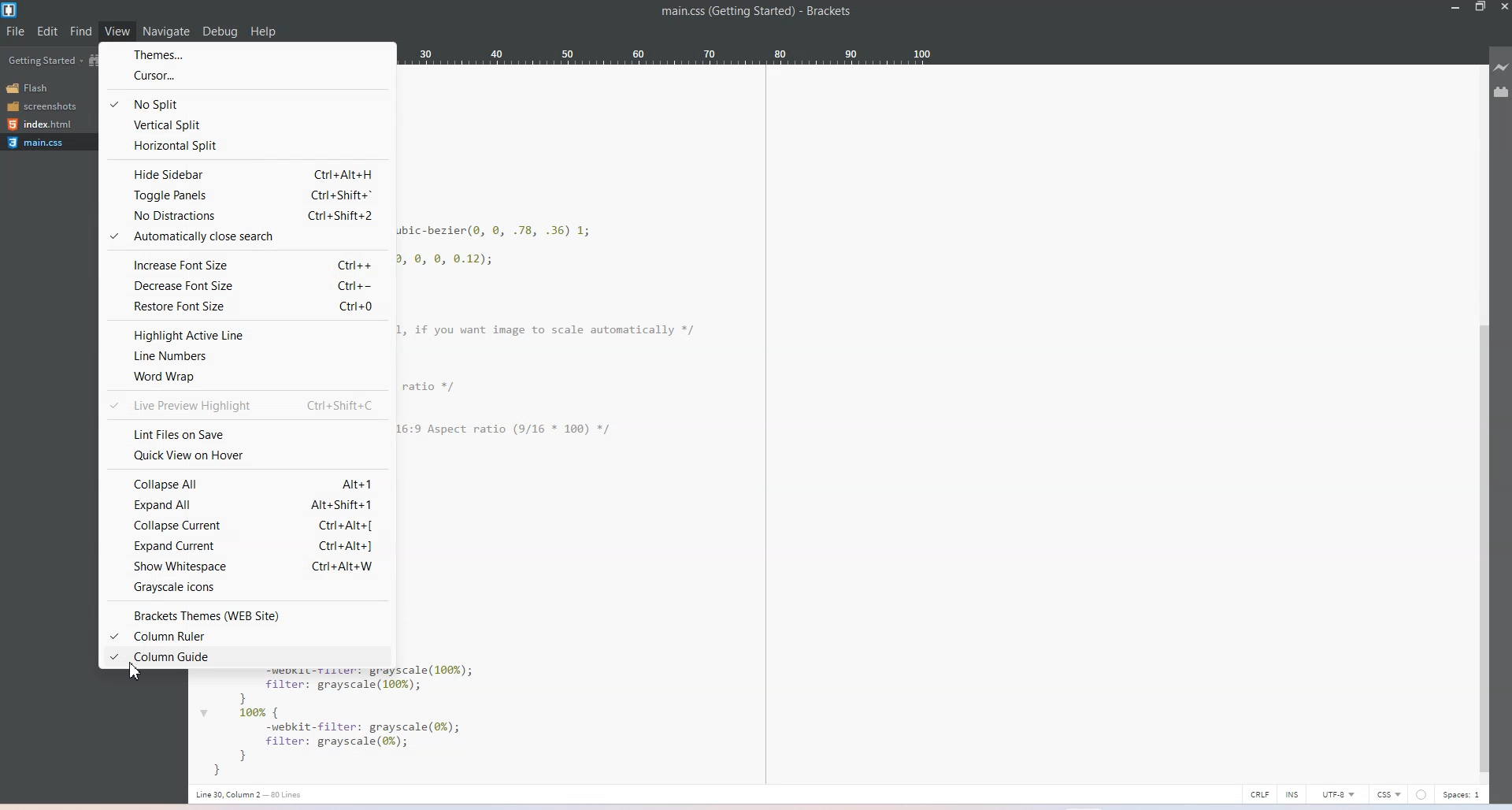 The height and width of the screenshot is (810, 1512). Describe the element at coordinates (1335, 794) in the screenshot. I see `UTF-8` at that location.